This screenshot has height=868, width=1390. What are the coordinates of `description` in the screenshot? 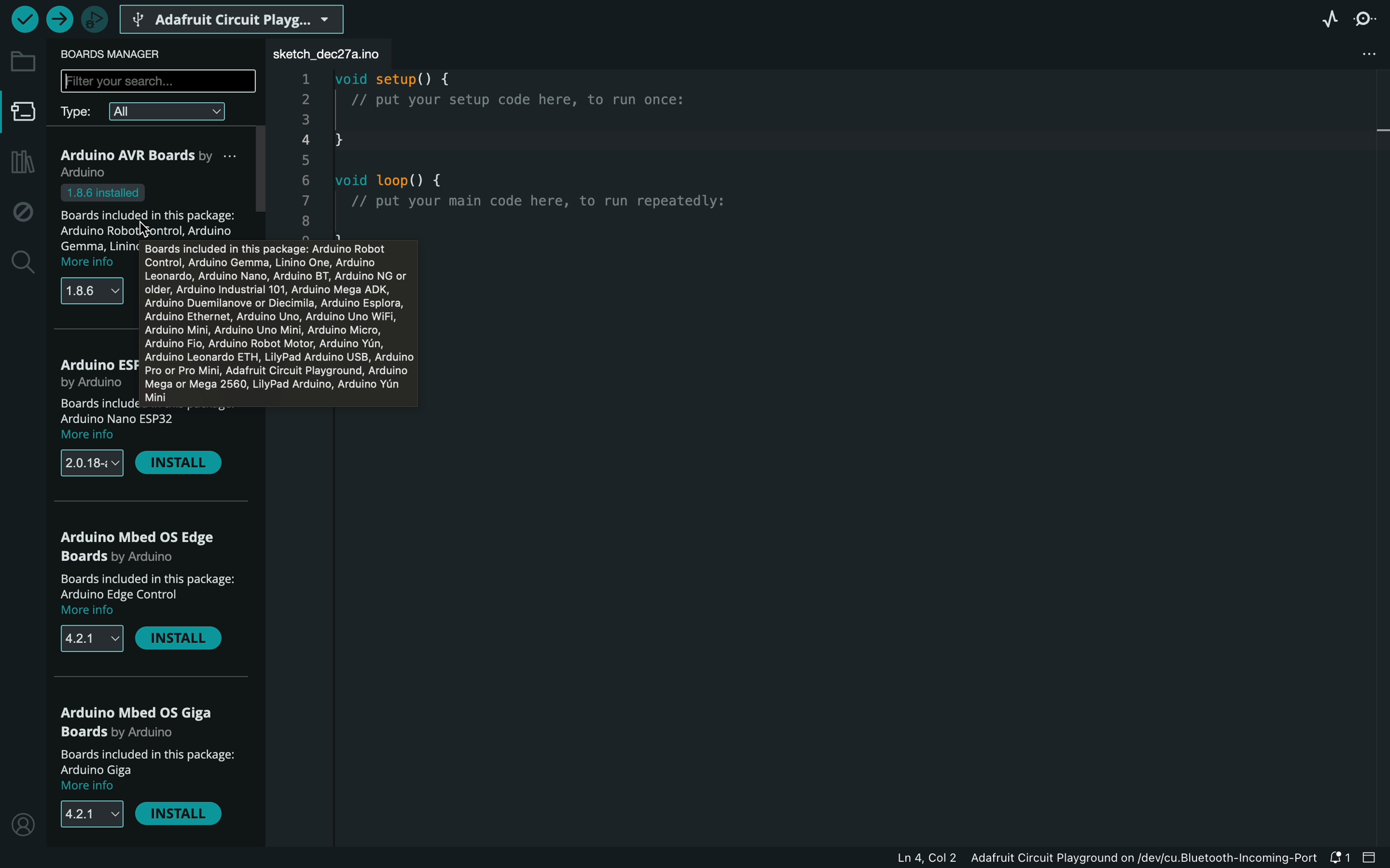 It's located at (150, 762).